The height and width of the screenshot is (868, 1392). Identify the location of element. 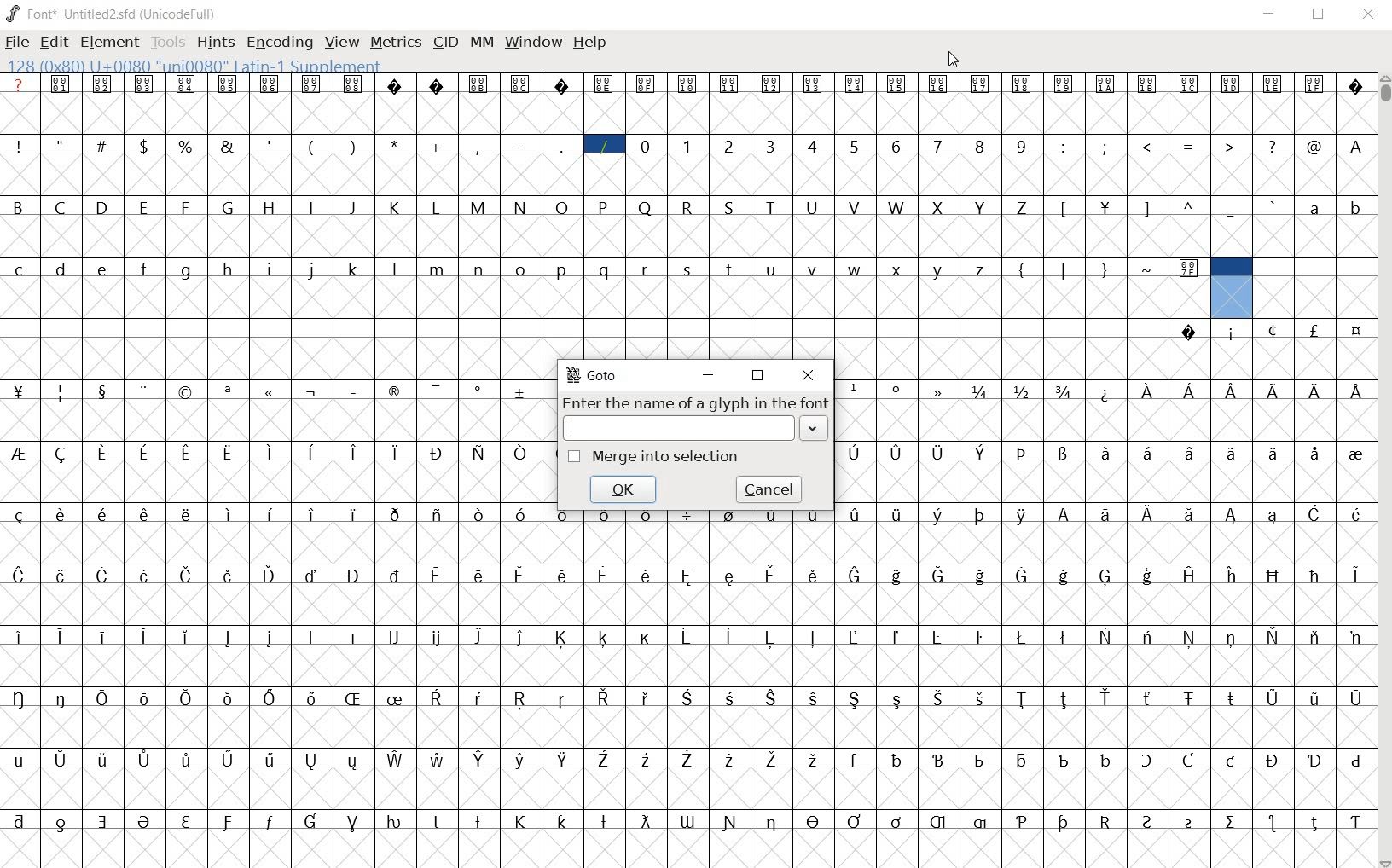
(111, 43).